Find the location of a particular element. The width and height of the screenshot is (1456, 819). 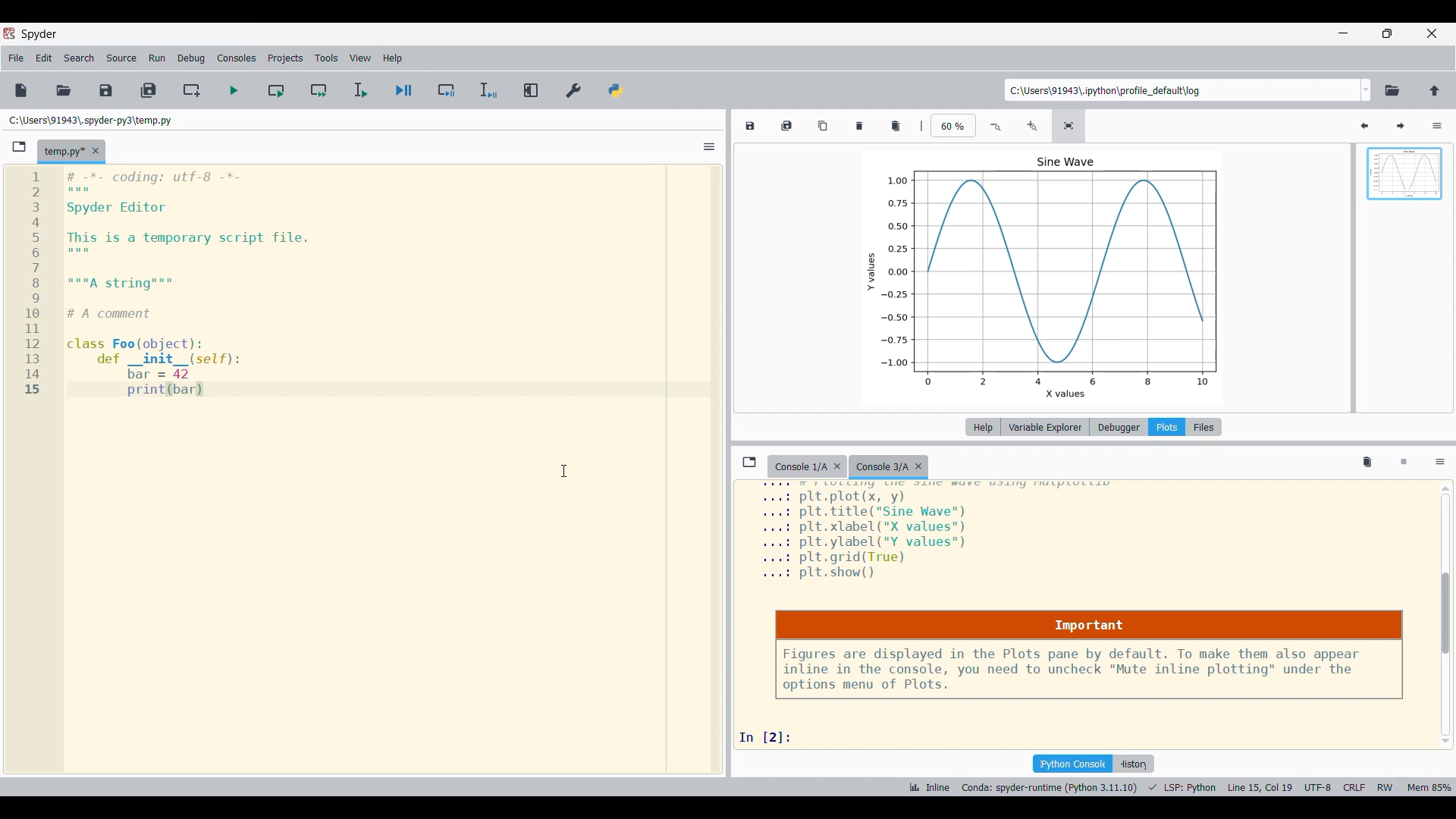

Consoles menu is located at coordinates (237, 58).